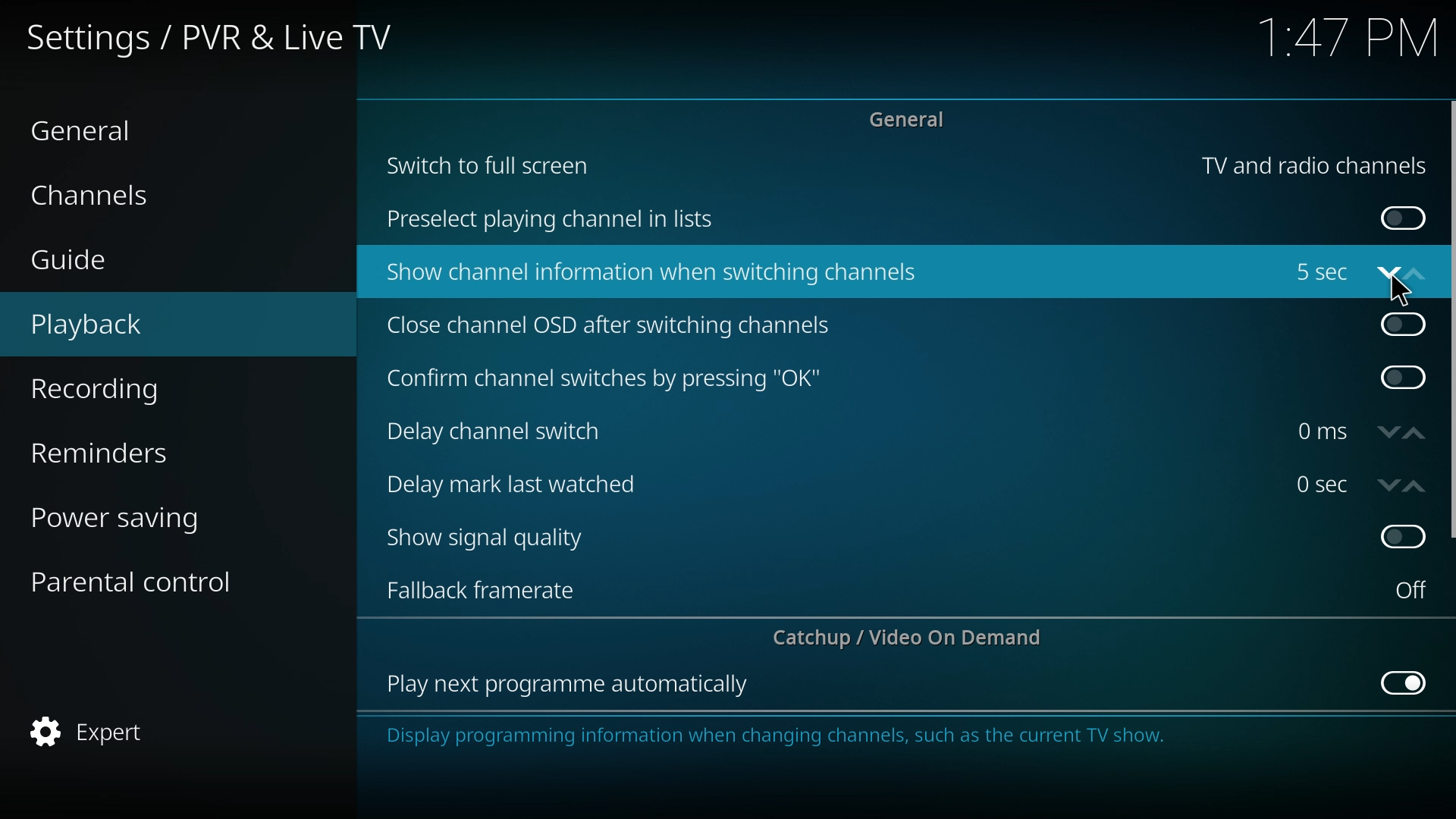 Image resolution: width=1456 pixels, height=819 pixels. Describe the element at coordinates (1390, 433) in the screenshot. I see `decrease time` at that location.